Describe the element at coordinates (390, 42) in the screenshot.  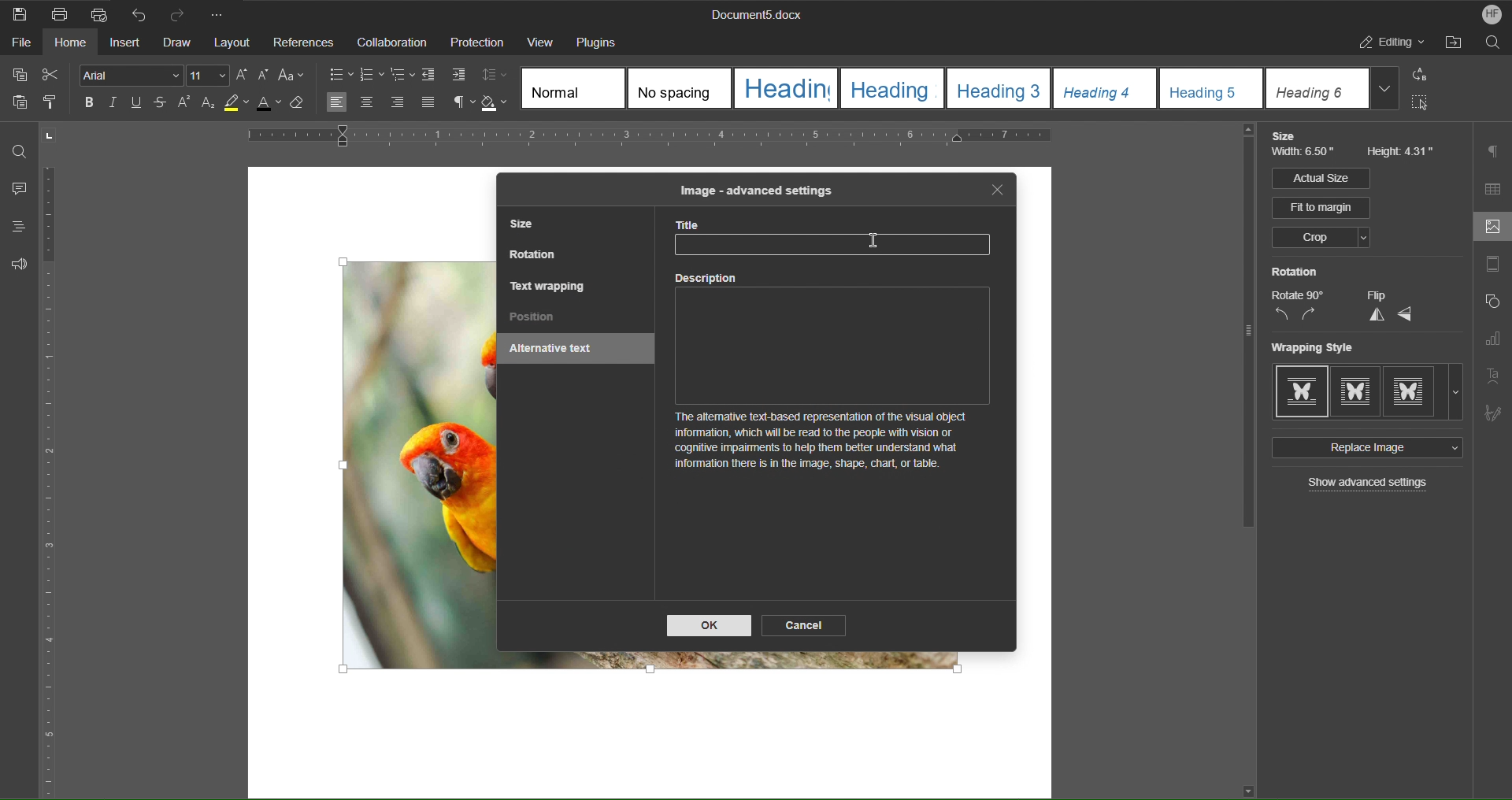
I see `Collaboration` at that location.